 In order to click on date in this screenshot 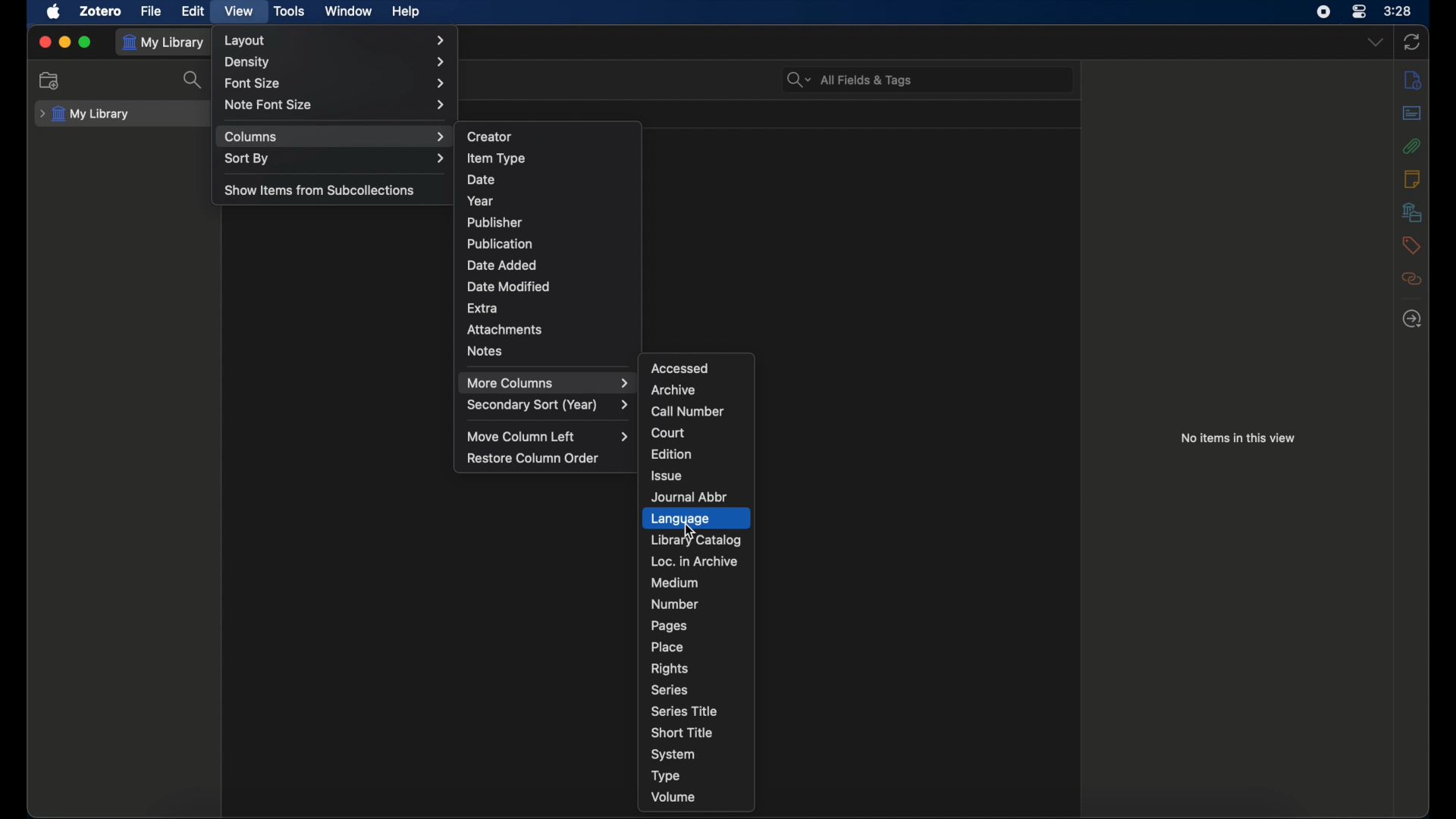, I will do `click(482, 180)`.